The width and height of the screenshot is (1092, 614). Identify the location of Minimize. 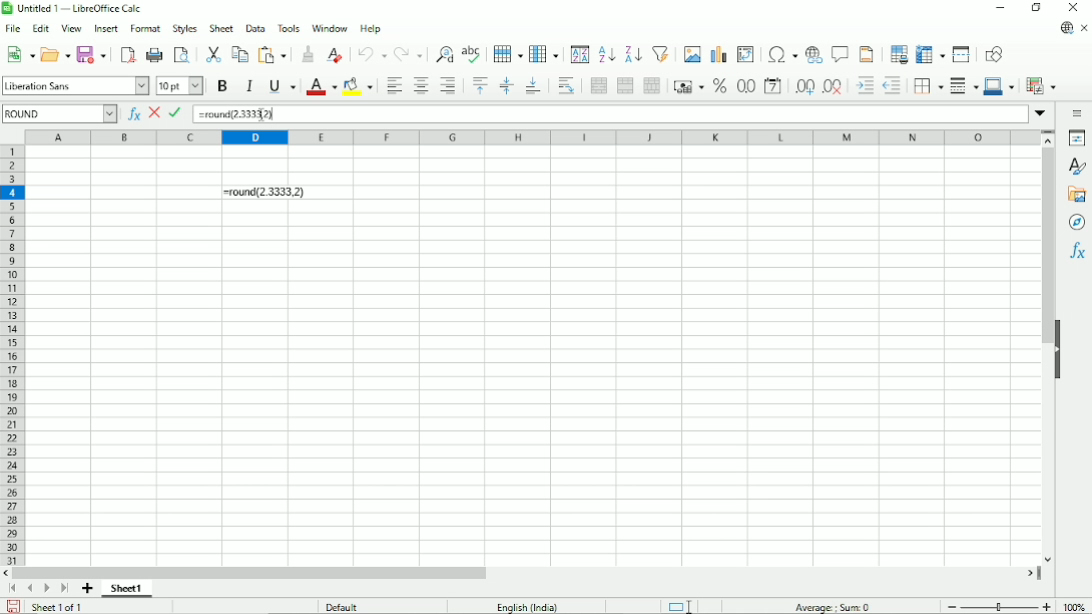
(1001, 8).